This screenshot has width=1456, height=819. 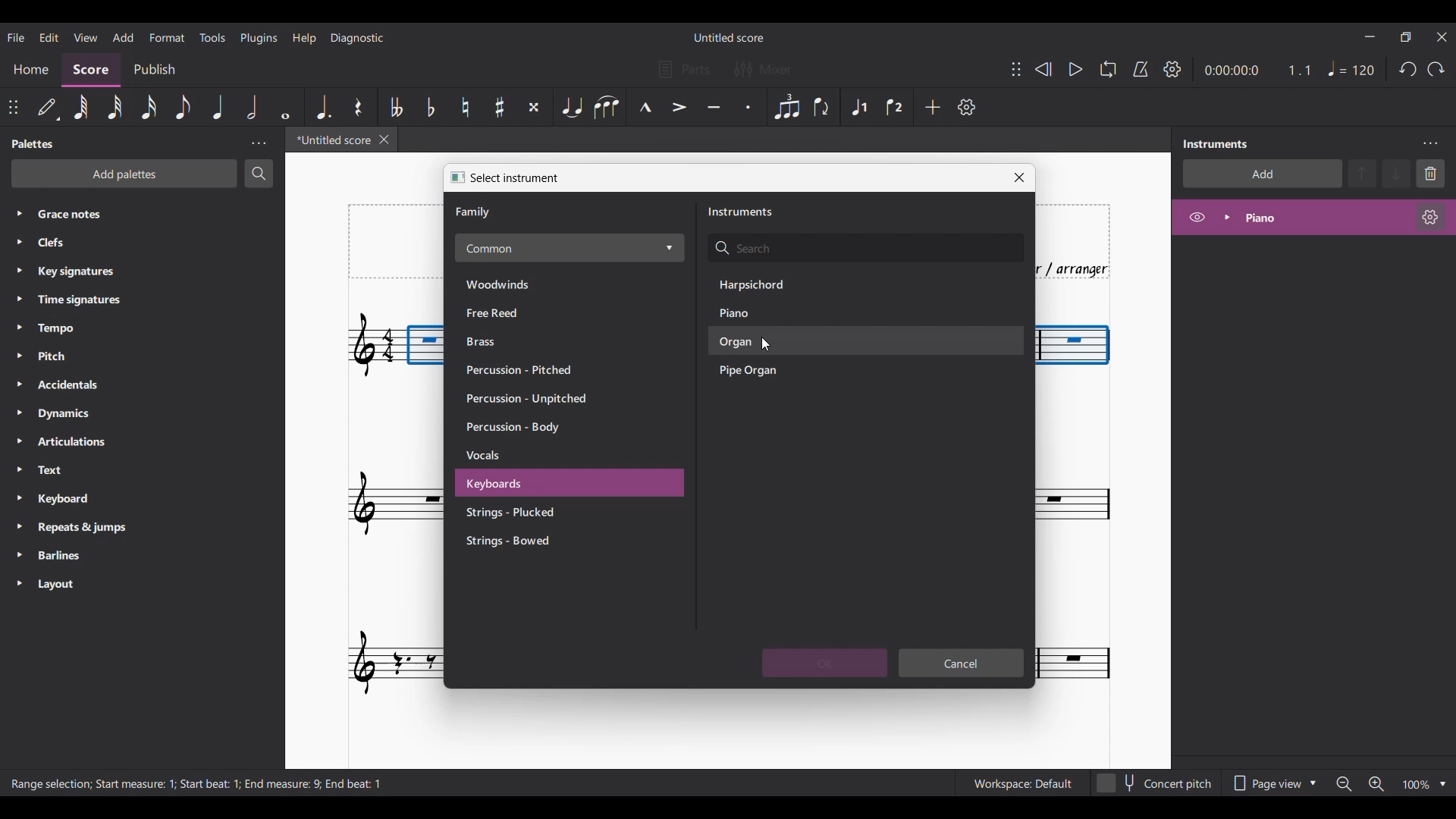 I want to click on Barlines, so click(x=82, y=557).